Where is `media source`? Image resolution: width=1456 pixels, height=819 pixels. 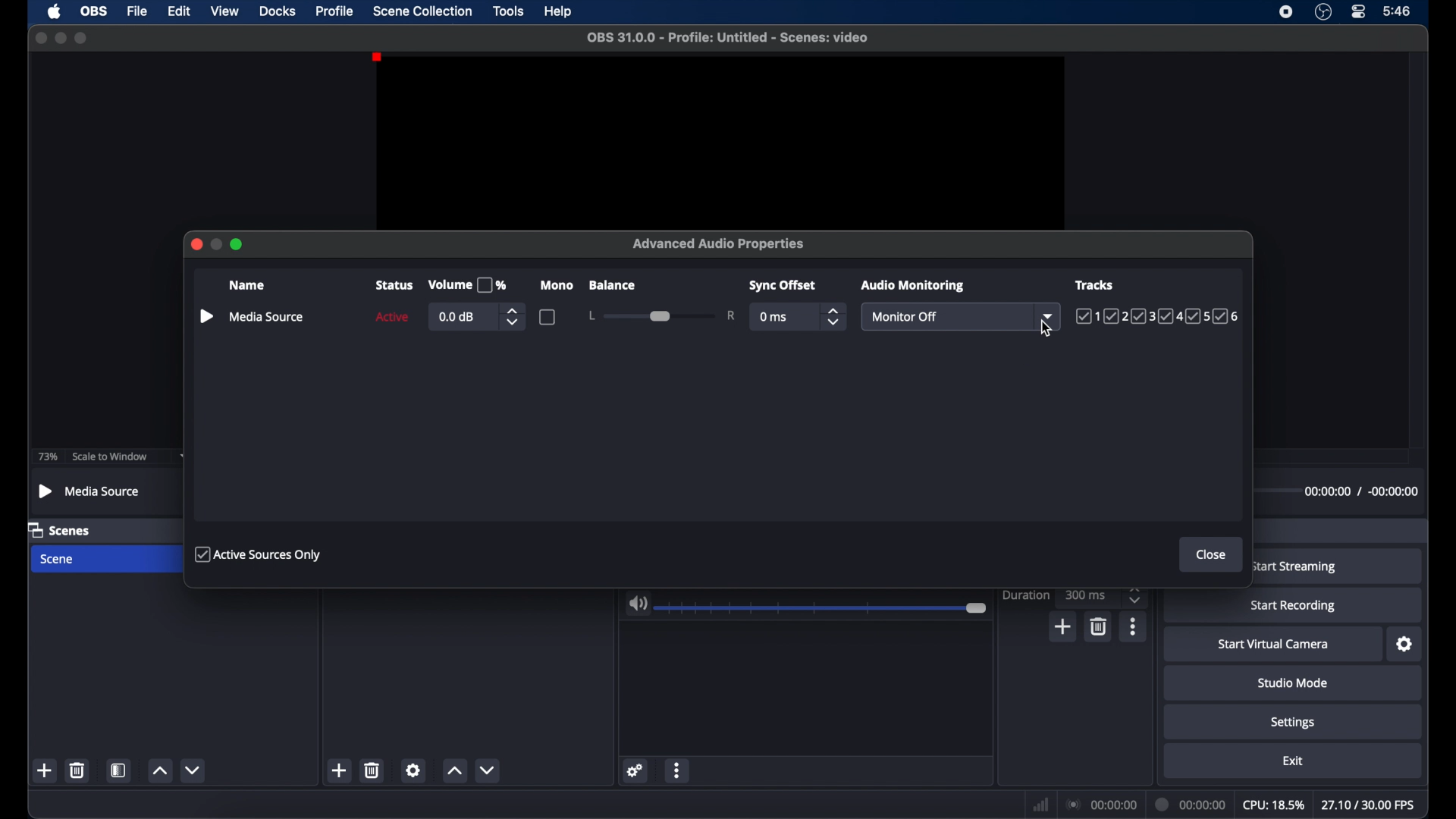
media source is located at coordinates (268, 316).